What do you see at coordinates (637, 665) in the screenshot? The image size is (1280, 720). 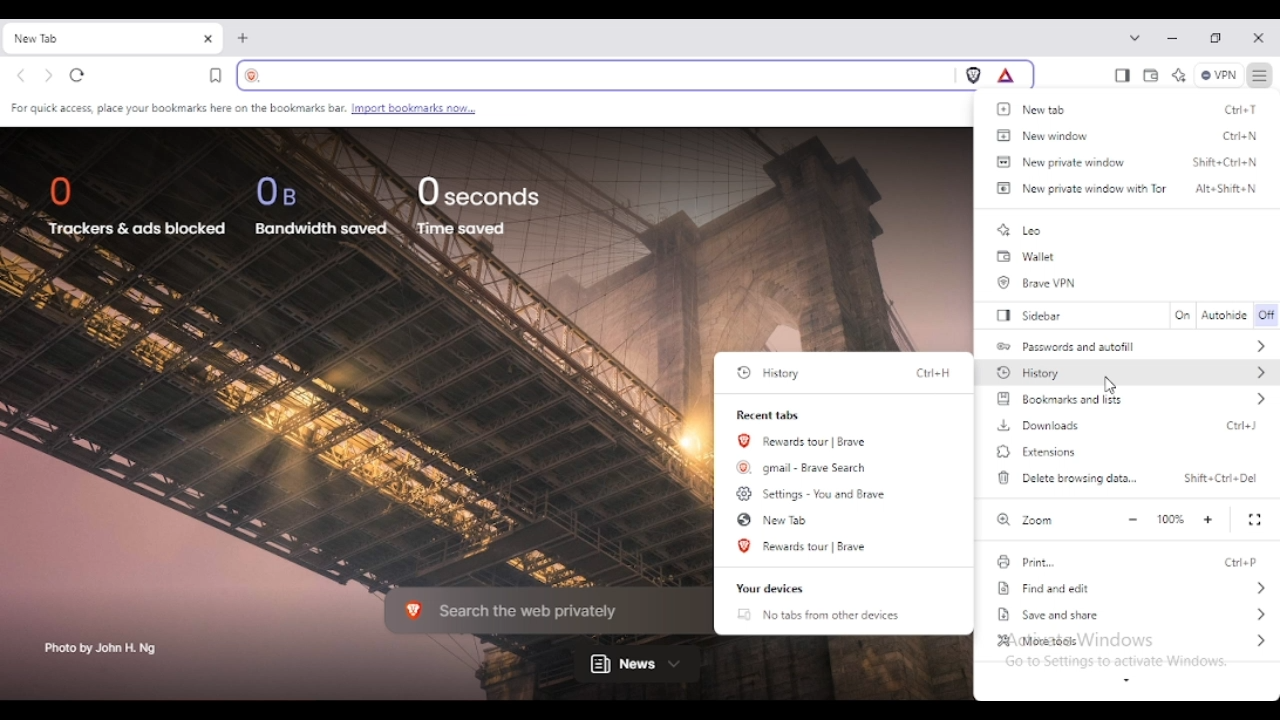 I see `news` at bounding box center [637, 665].